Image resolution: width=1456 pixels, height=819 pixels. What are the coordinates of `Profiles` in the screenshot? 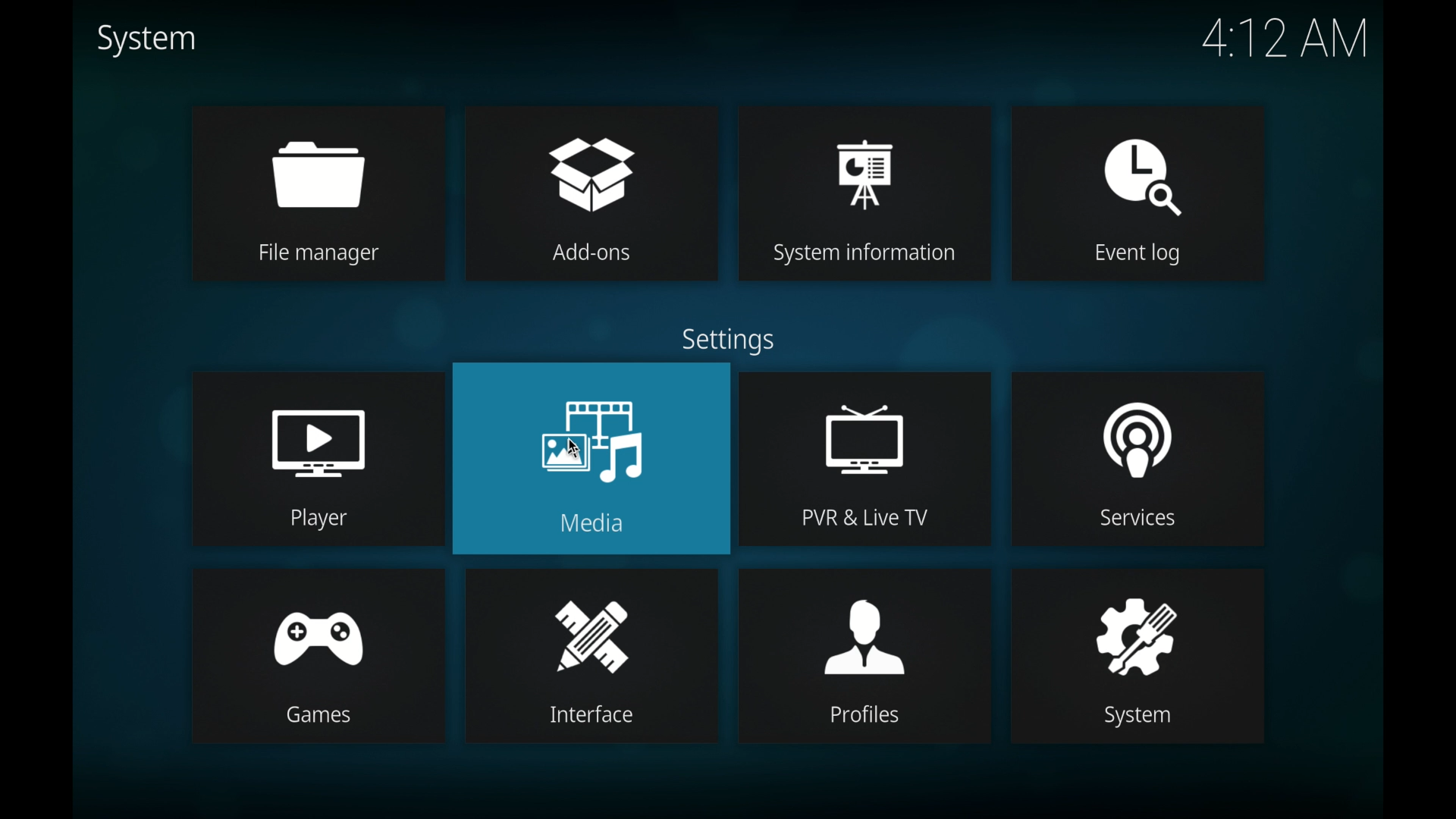 It's located at (868, 719).